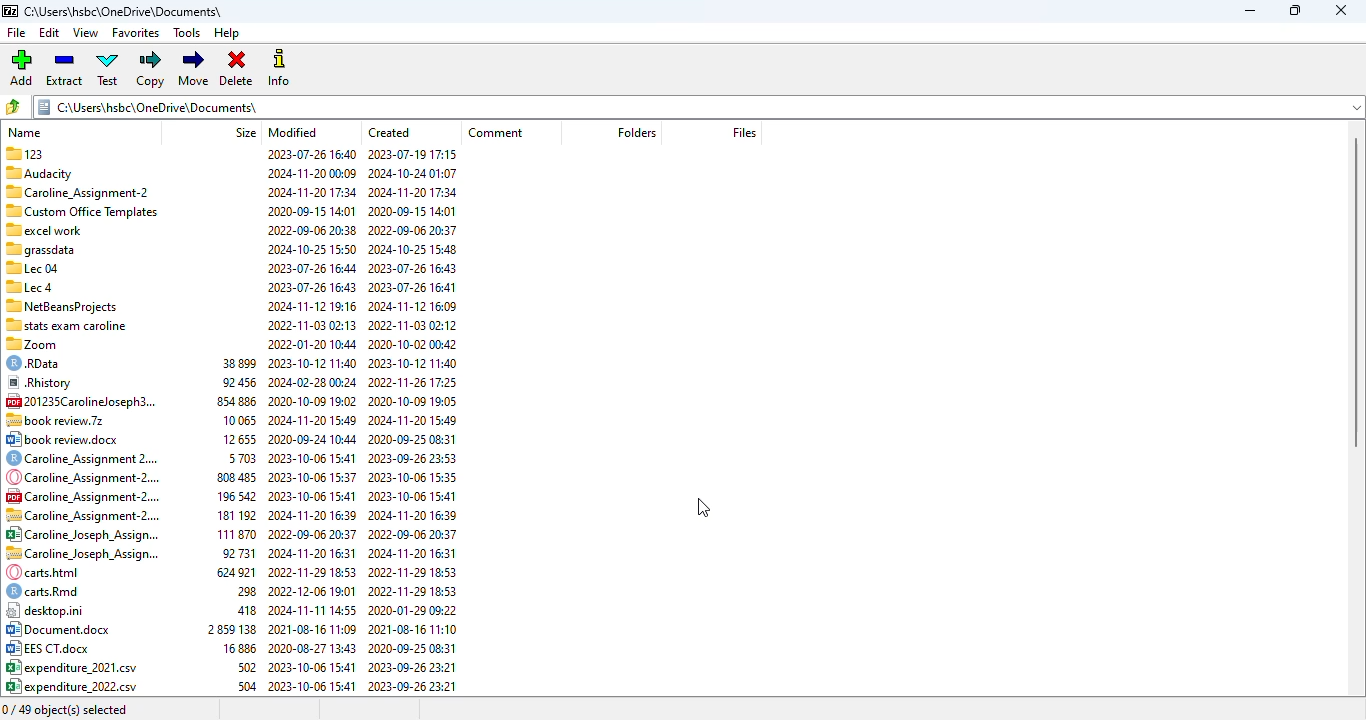 This screenshot has height=720, width=1366. I want to click on view, so click(86, 33).